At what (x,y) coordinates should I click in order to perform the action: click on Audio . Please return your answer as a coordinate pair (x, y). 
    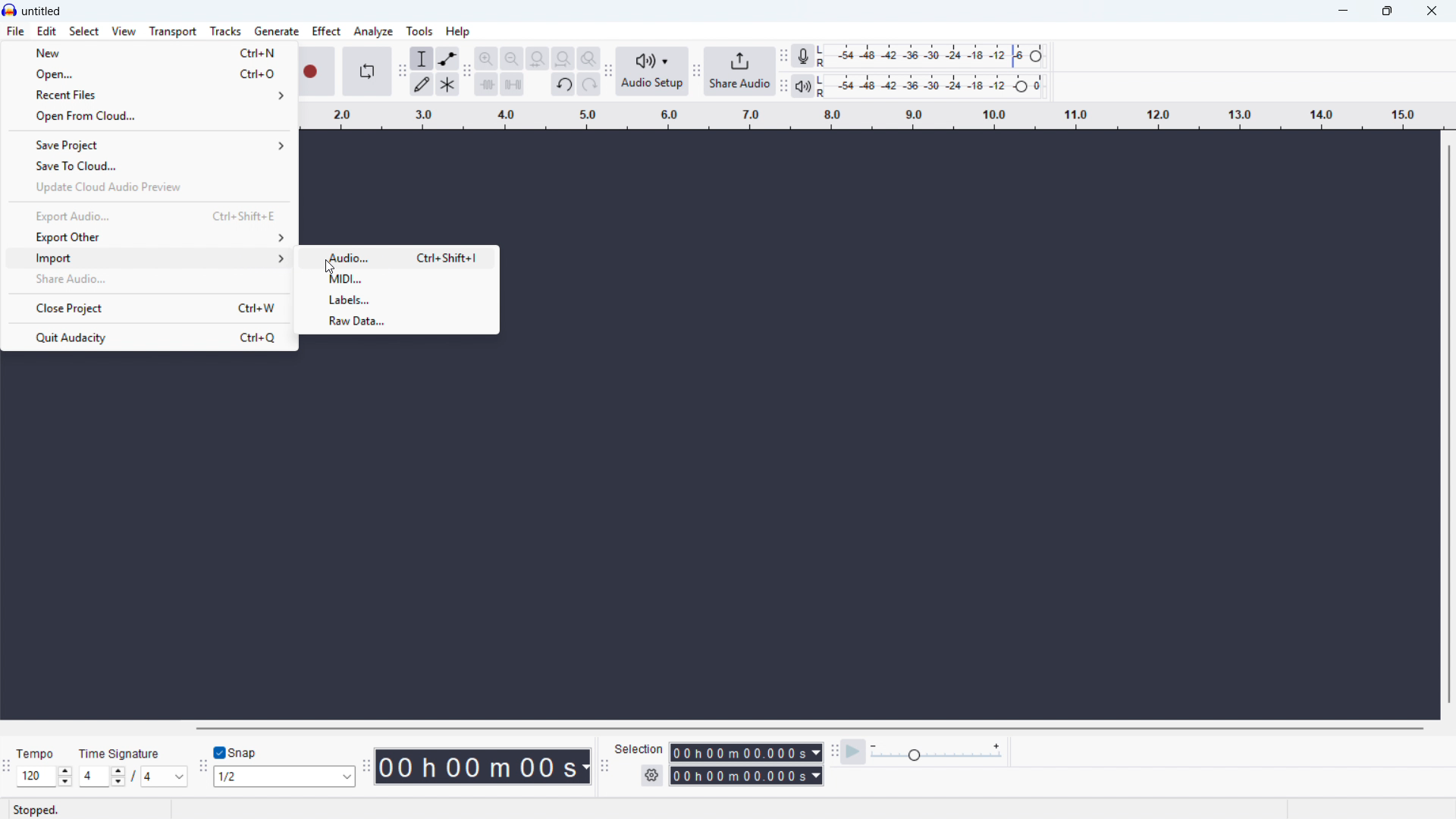
    Looking at the image, I should click on (400, 256).